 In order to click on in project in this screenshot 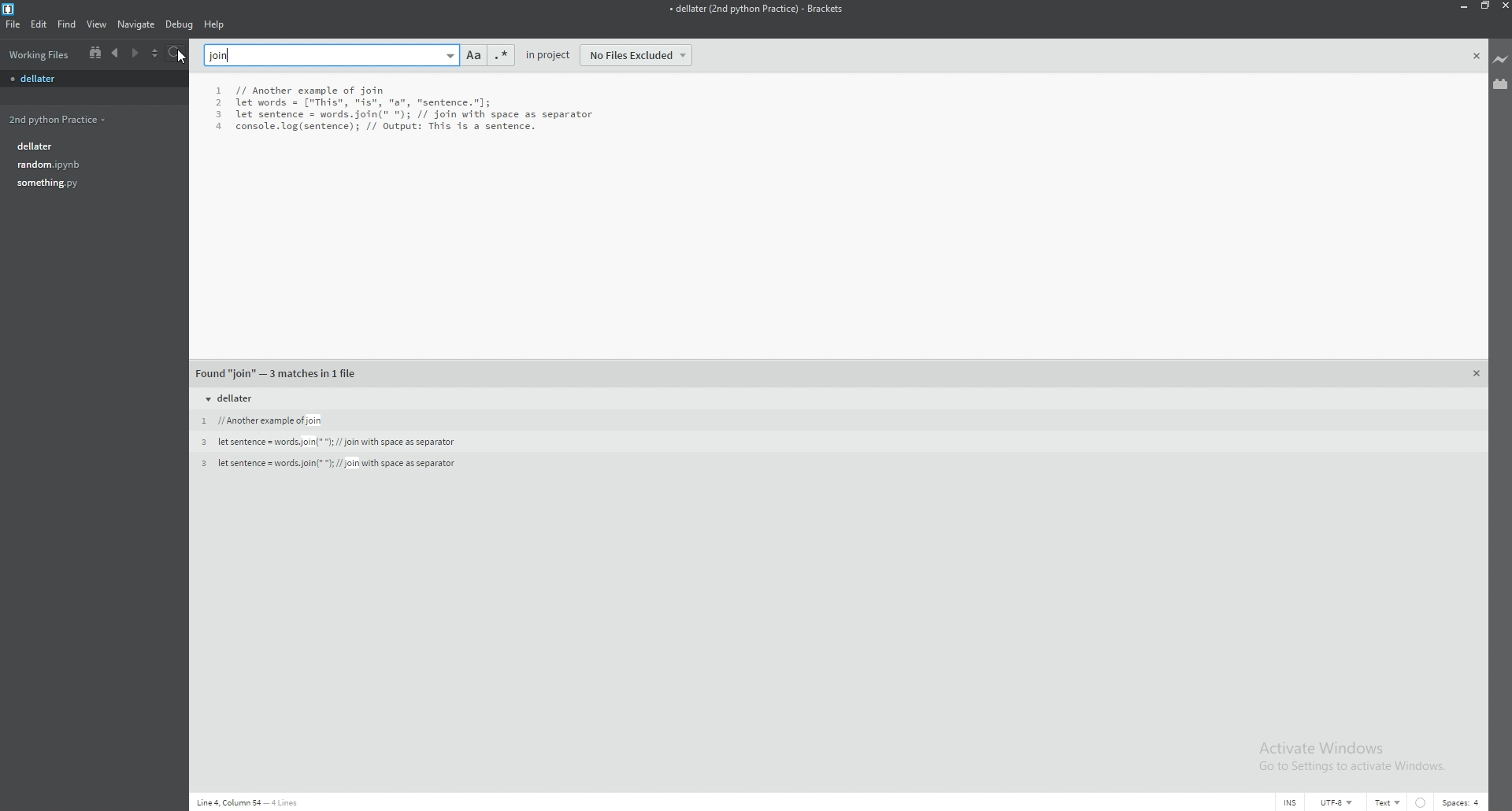, I will do `click(550, 55)`.